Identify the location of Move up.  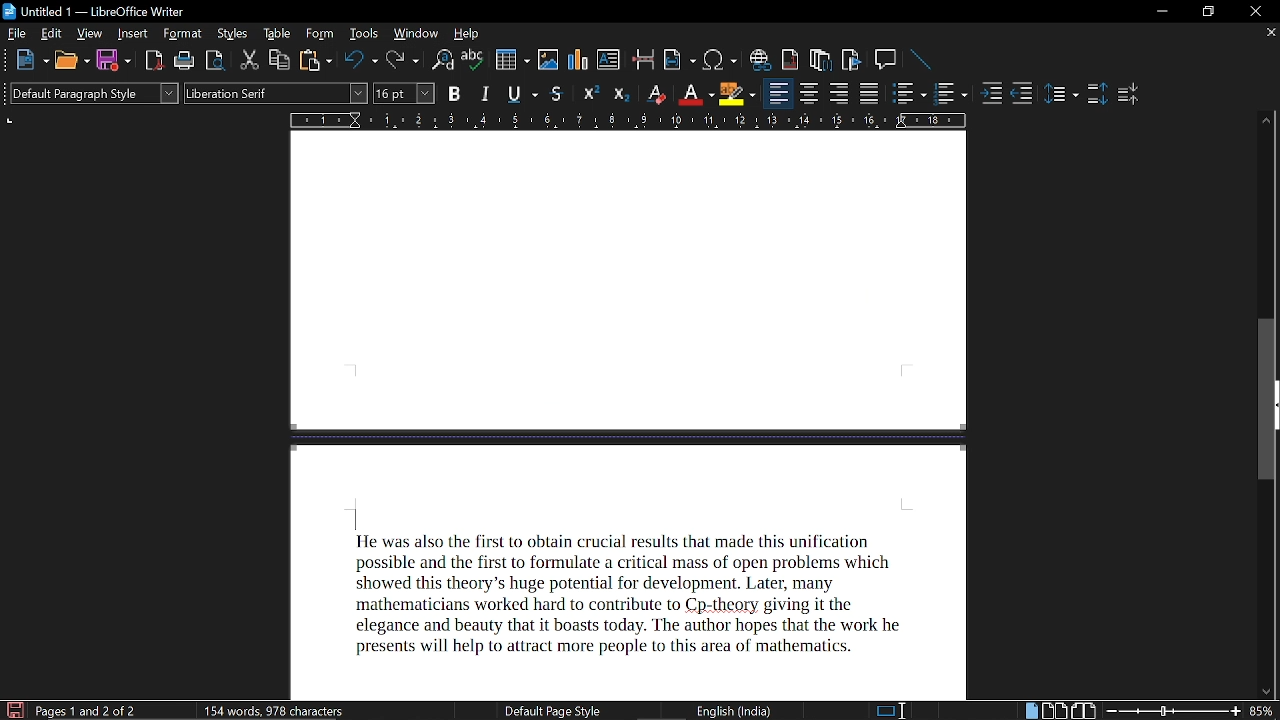
(1268, 118).